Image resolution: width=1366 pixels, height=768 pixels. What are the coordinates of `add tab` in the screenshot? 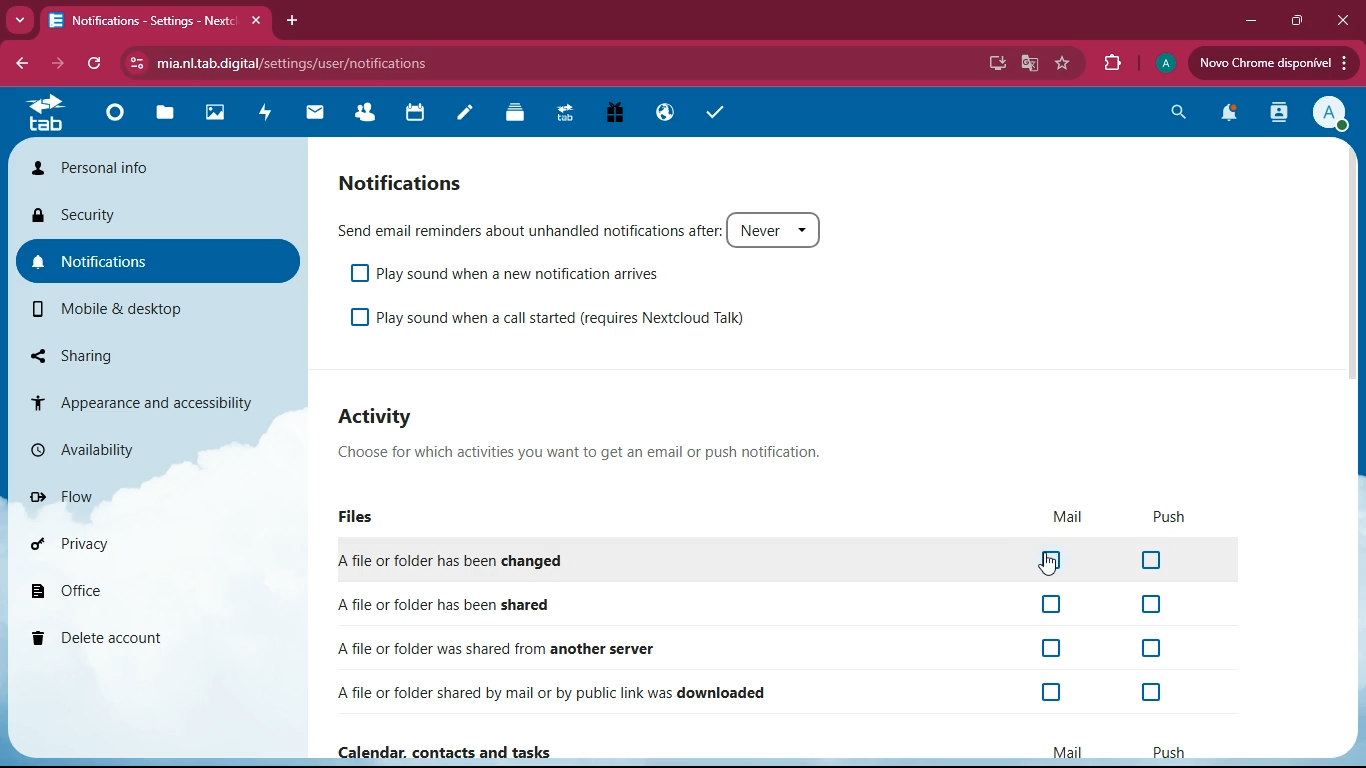 It's located at (292, 20).